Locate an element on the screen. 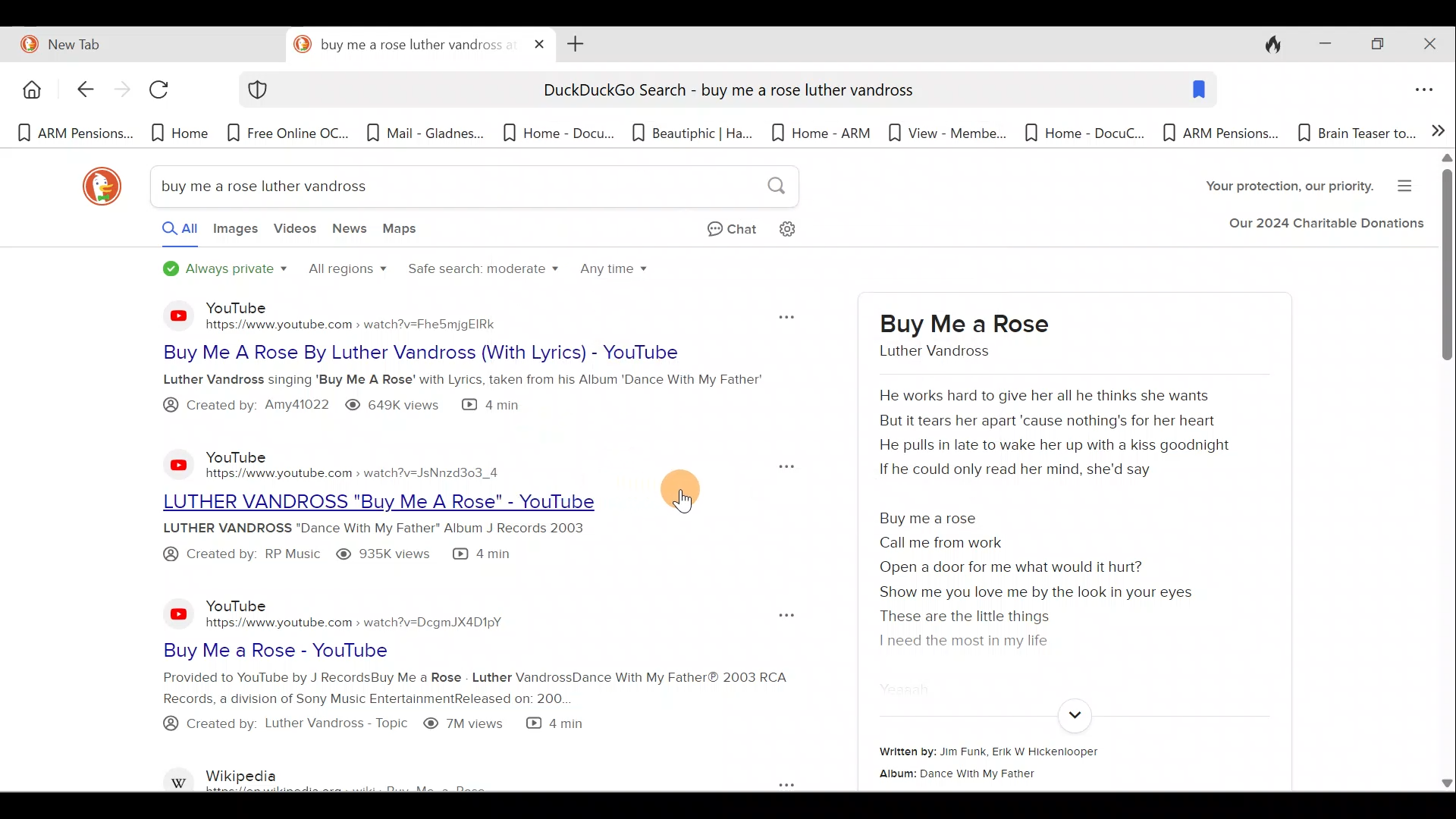  Written by: Jim Funk, Erik W Hickenlooper
Album: Dance With My Father is located at coordinates (1050, 763).